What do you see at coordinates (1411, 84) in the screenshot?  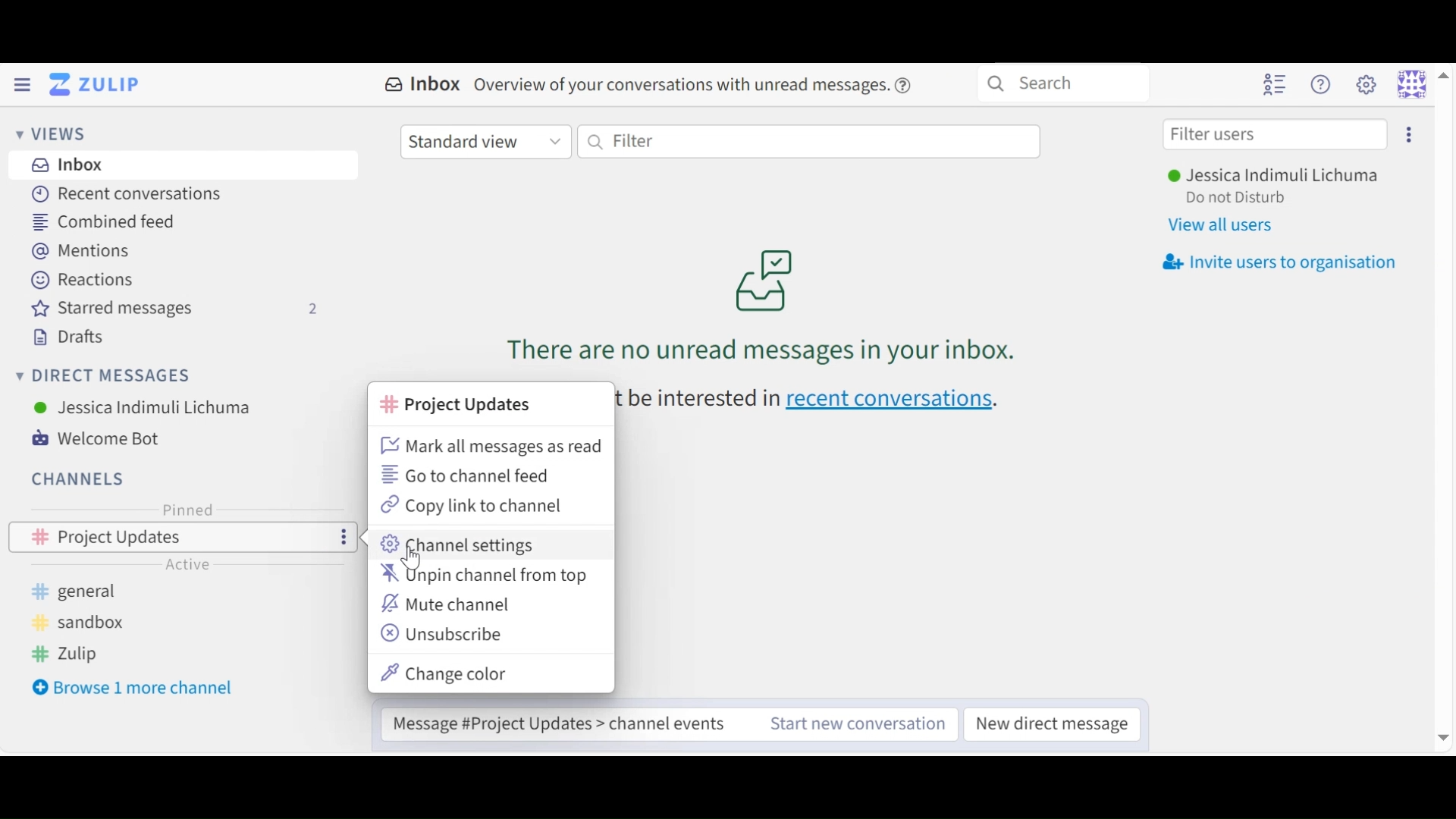 I see `Personal menu` at bounding box center [1411, 84].